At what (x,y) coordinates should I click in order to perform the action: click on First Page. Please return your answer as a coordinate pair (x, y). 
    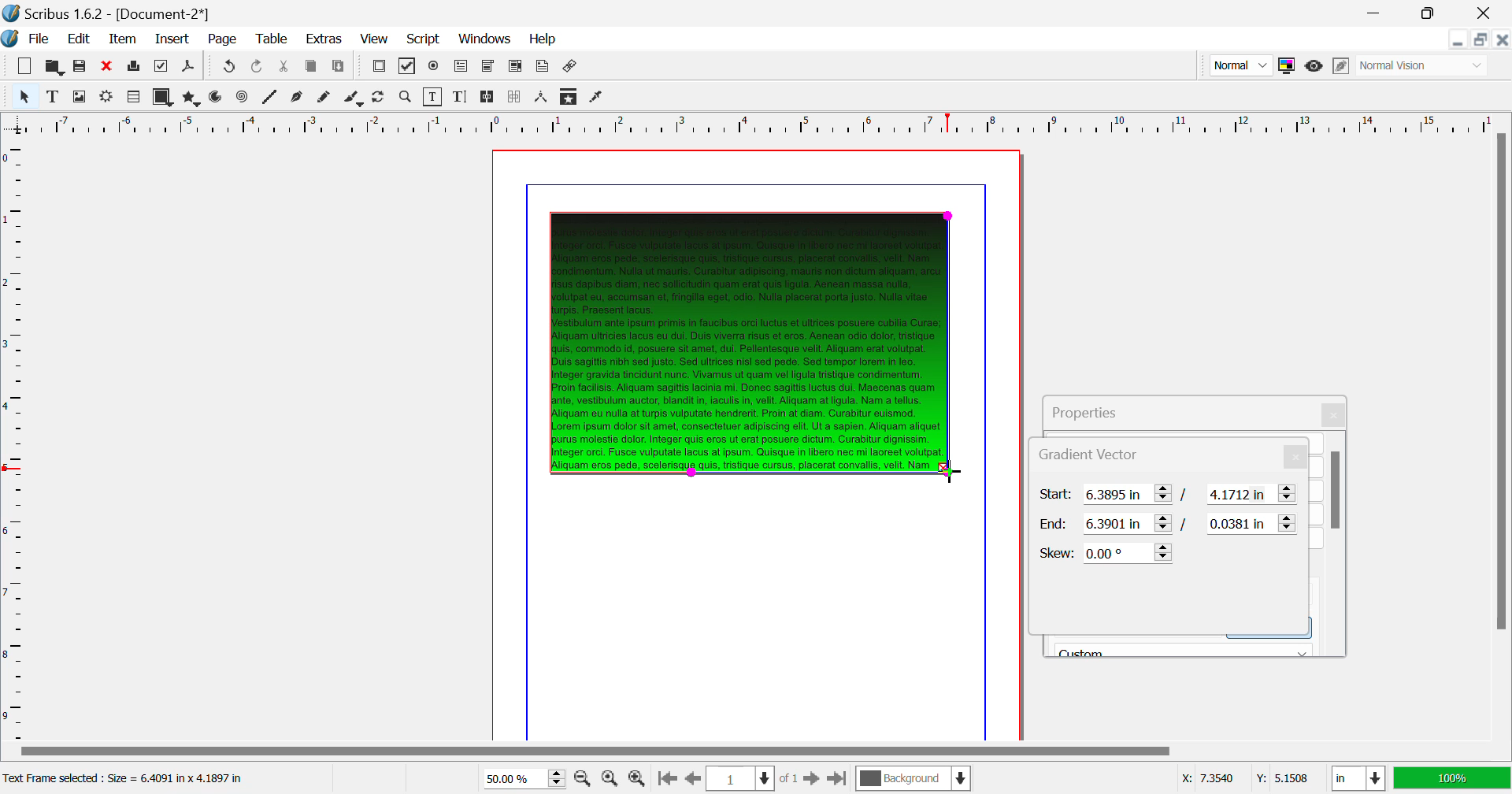
    Looking at the image, I should click on (665, 780).